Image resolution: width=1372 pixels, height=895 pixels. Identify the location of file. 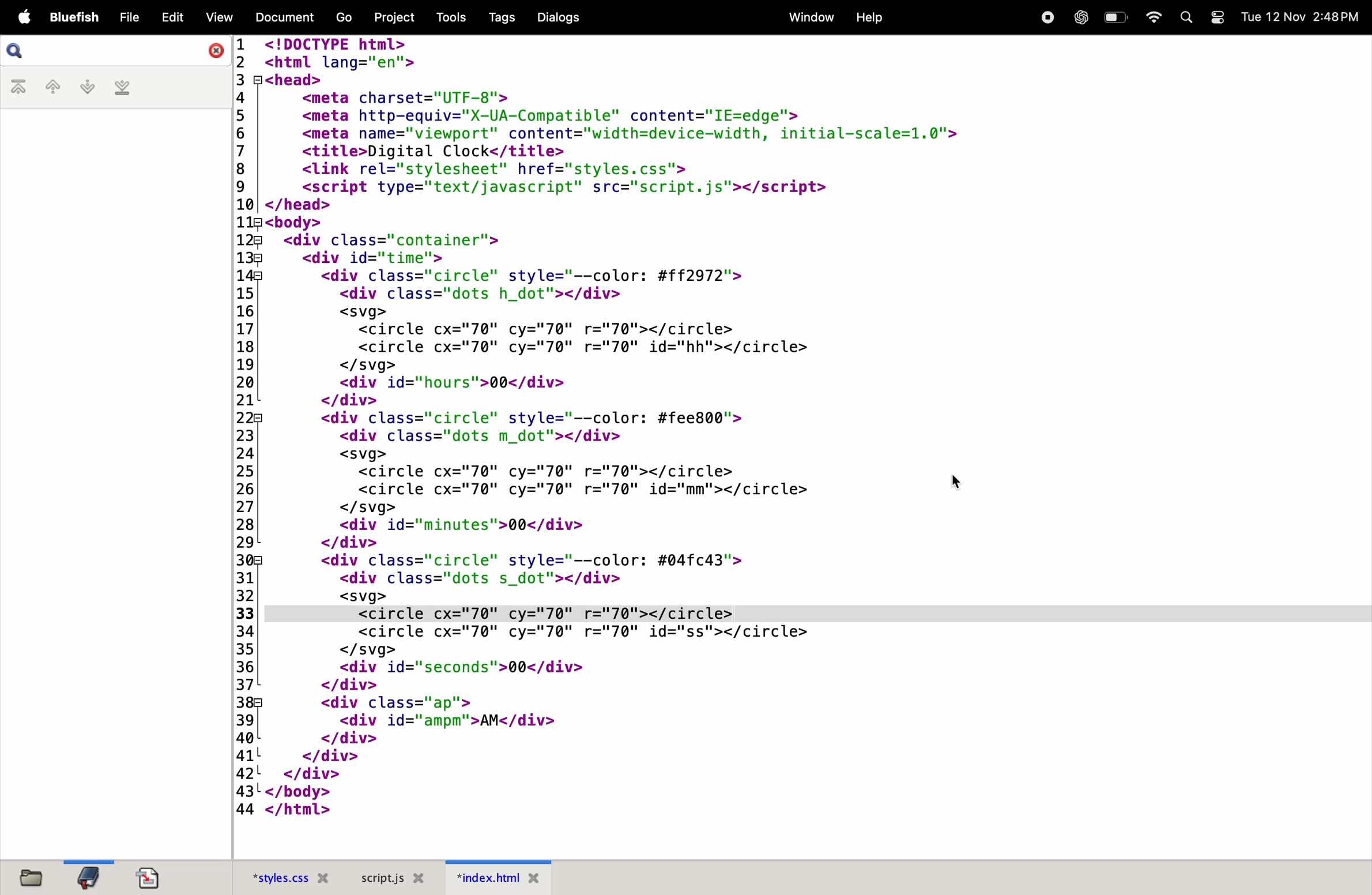
(34, 877).